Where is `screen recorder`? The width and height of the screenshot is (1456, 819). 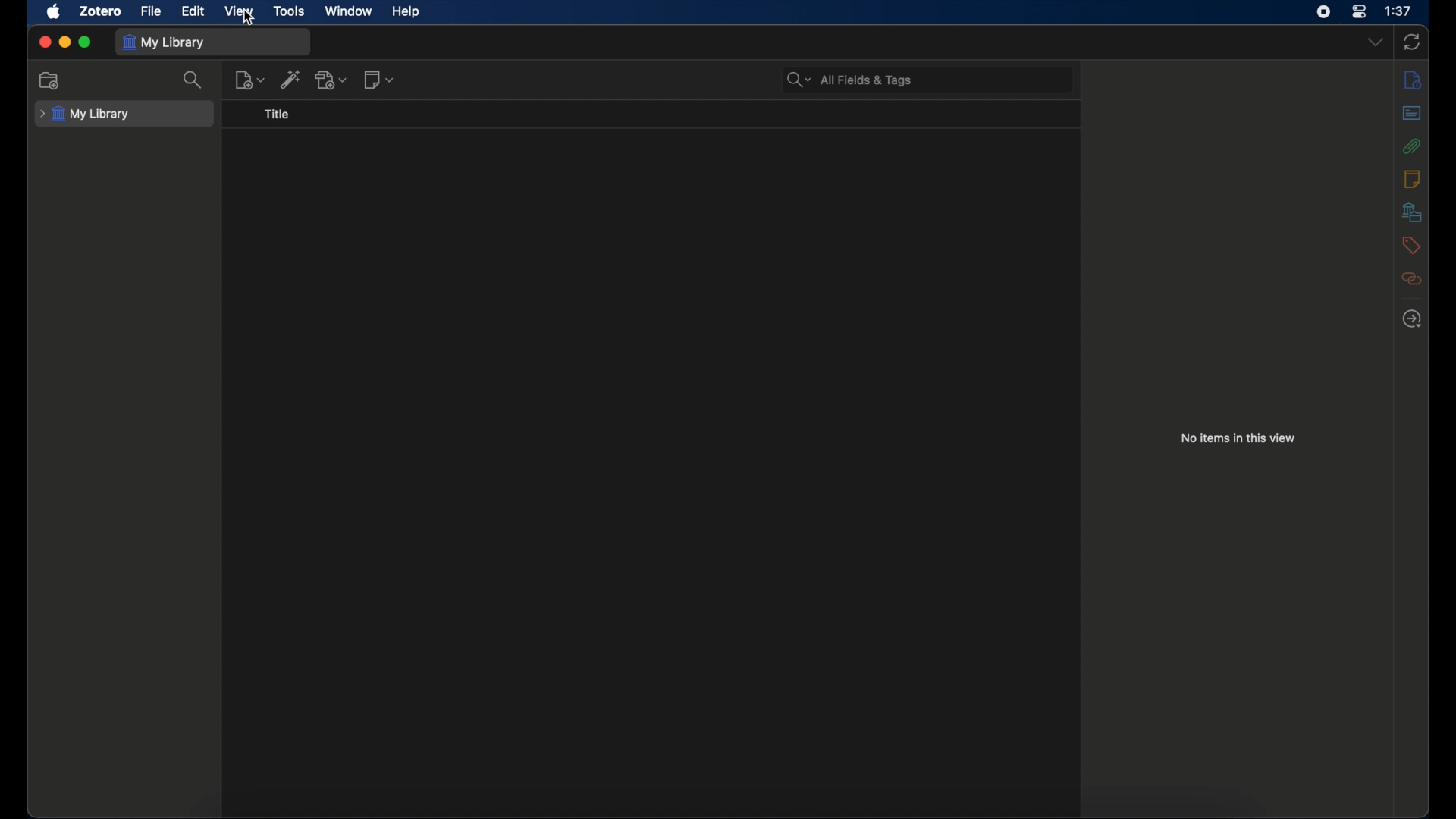
screen recorder is located at coordinates (1323, 11).